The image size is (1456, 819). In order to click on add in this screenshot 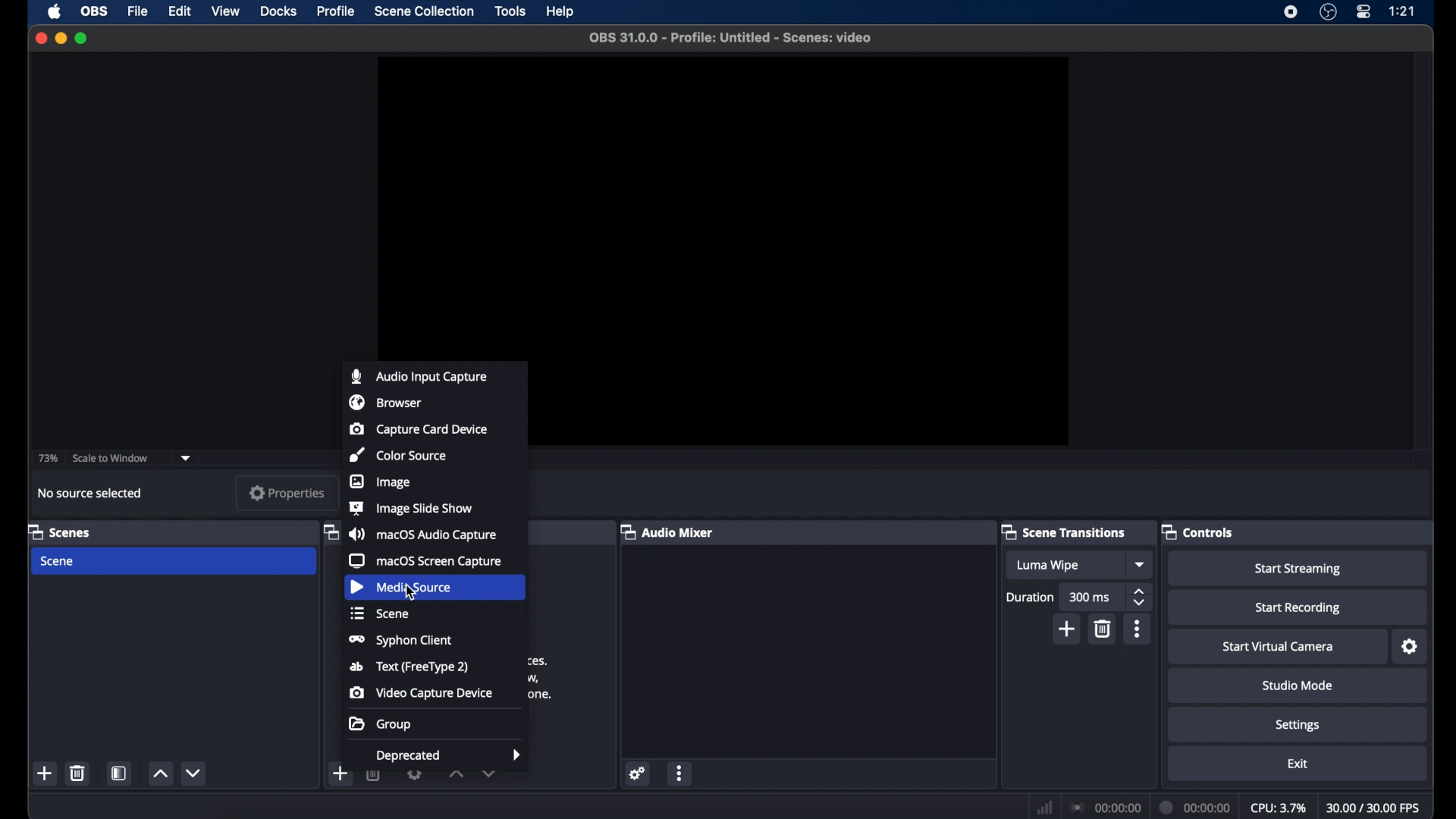, I will do `click(340, 773)`.